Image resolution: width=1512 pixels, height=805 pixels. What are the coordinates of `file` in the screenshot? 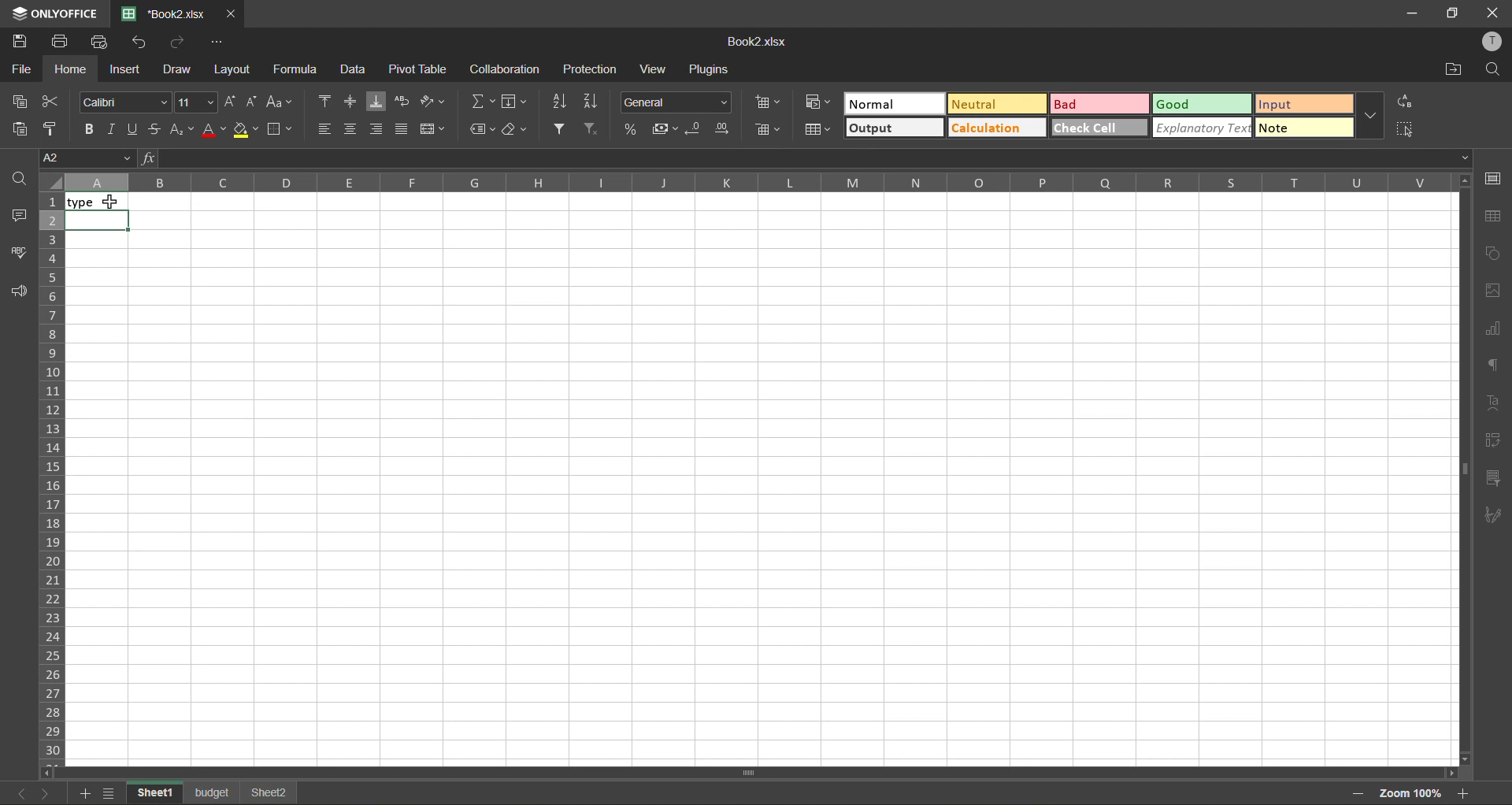 It's located at (22, 68).